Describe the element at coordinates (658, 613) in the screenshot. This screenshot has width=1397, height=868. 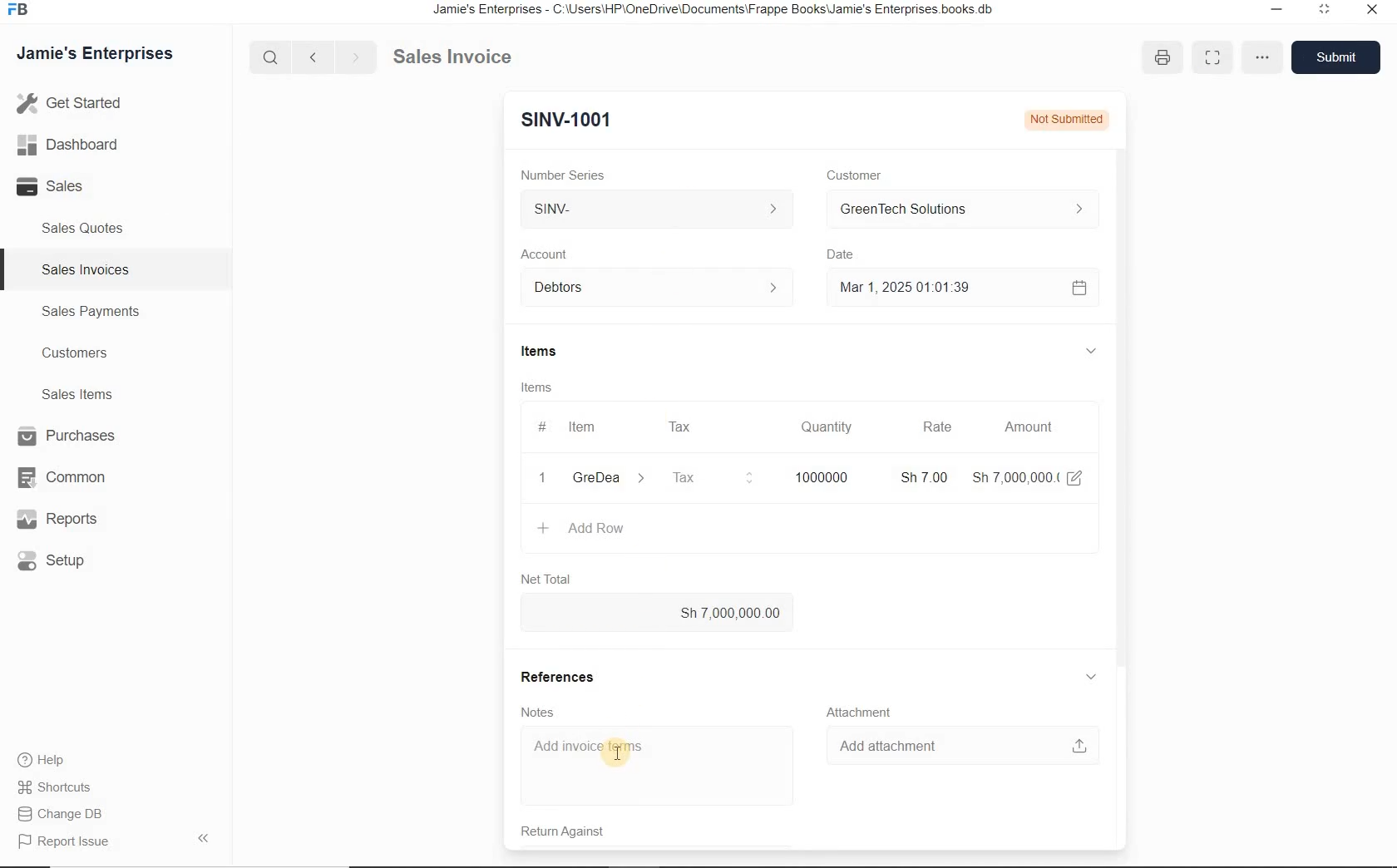
I see `Sh 7,000,000.00` at that location.